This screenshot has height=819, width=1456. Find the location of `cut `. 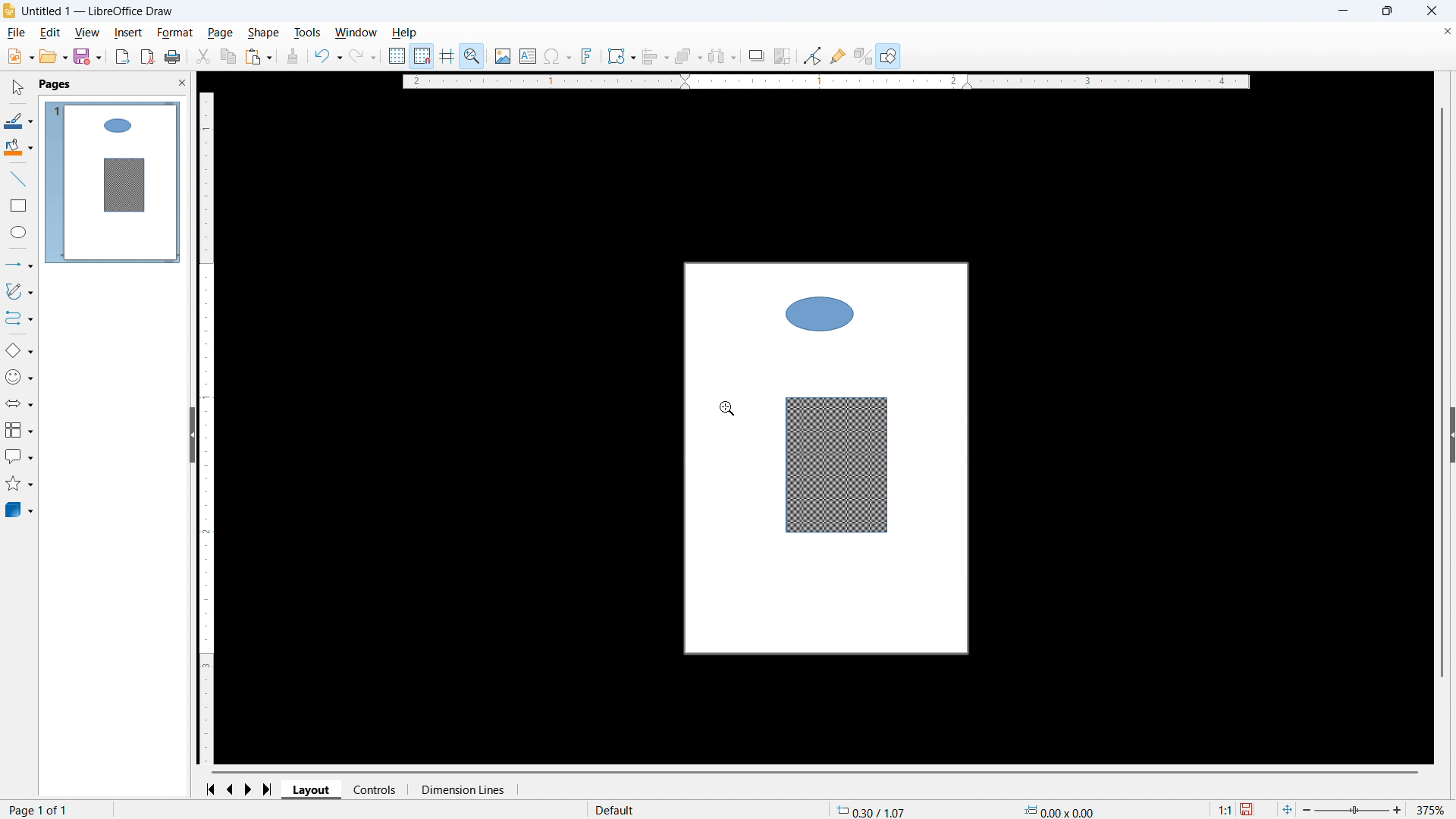

cut  is located at coordinates (204, 56).